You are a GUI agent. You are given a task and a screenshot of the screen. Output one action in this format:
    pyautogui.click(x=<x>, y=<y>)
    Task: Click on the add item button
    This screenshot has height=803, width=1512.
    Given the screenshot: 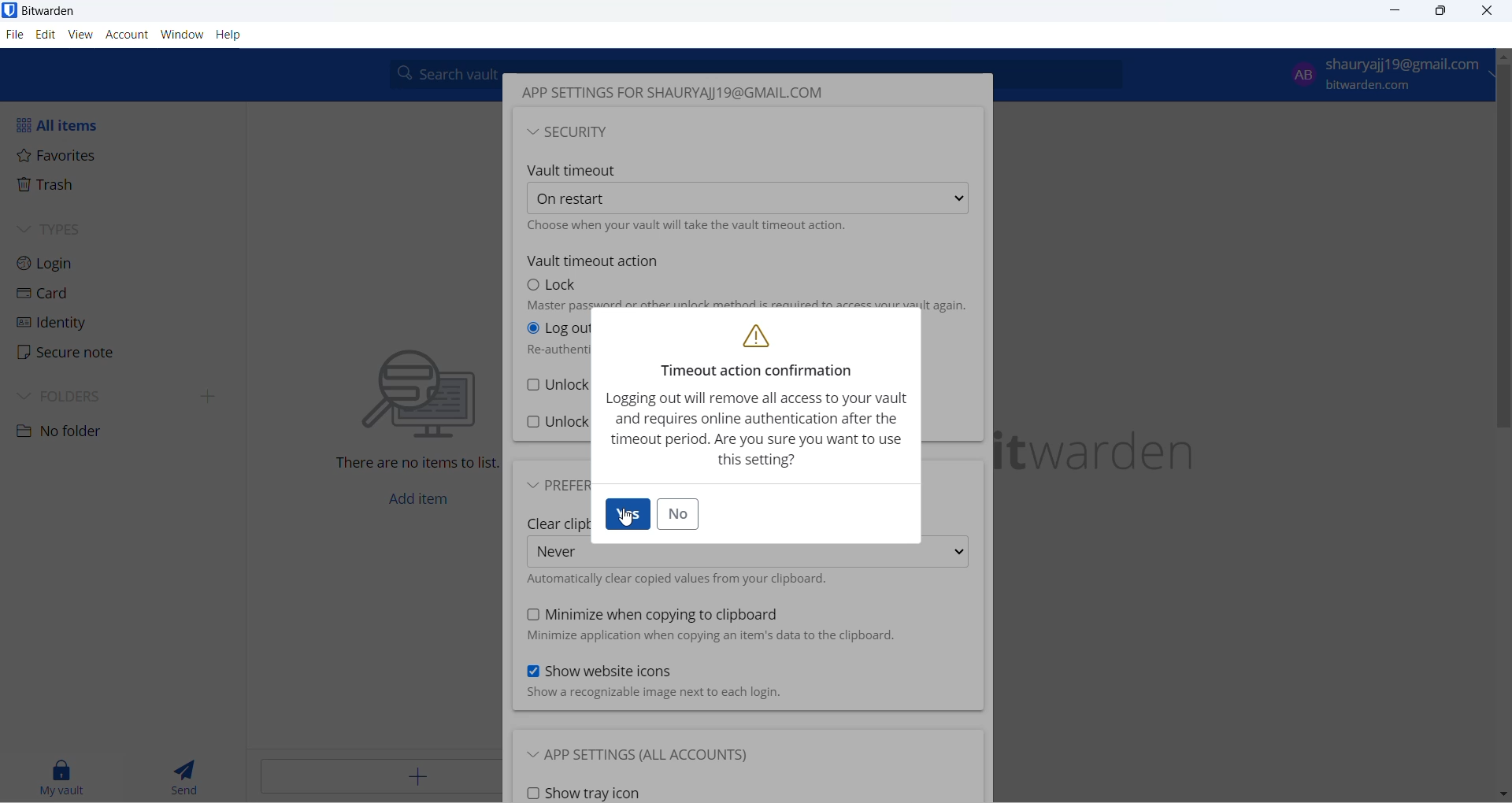 What is the action you would take?
    pyautogui.click(x=417, y=502)
    